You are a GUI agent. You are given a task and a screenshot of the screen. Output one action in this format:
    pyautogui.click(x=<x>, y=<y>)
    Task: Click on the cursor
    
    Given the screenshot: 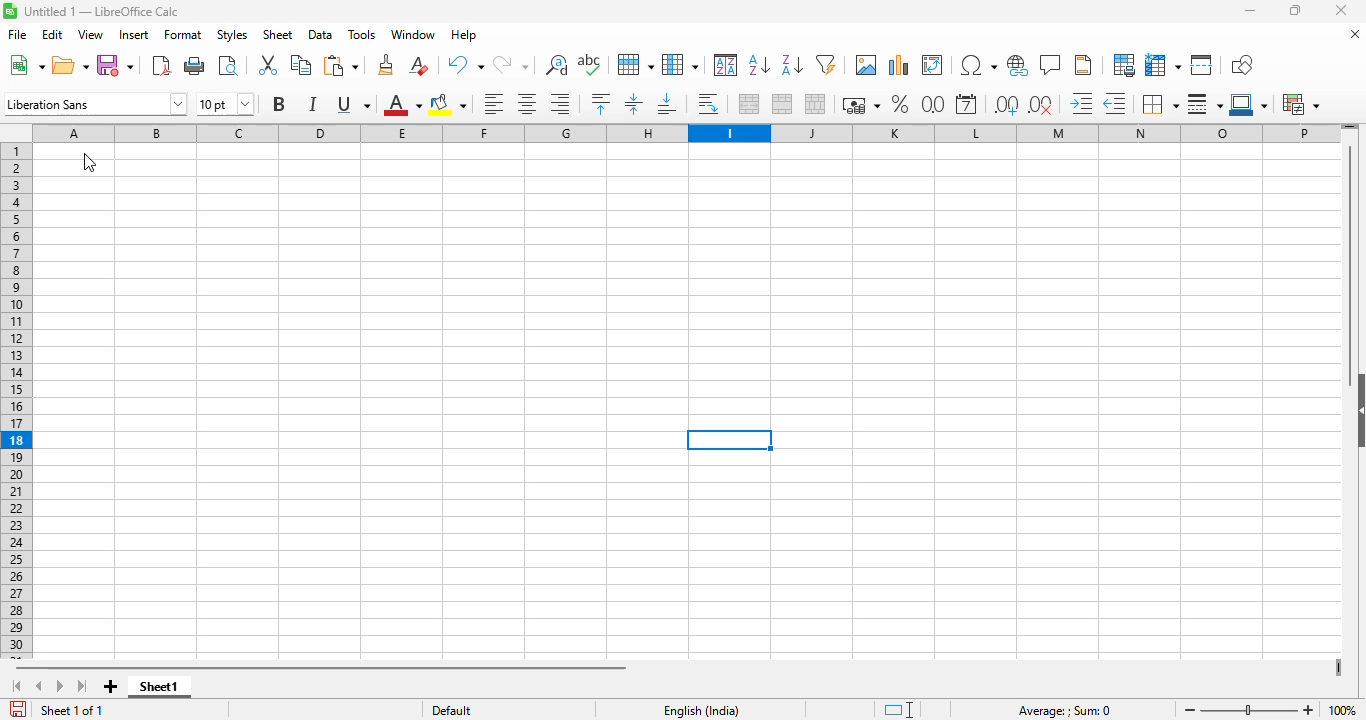 What is the action you would take?
    pyautogui.click(x=89, y=161)
    